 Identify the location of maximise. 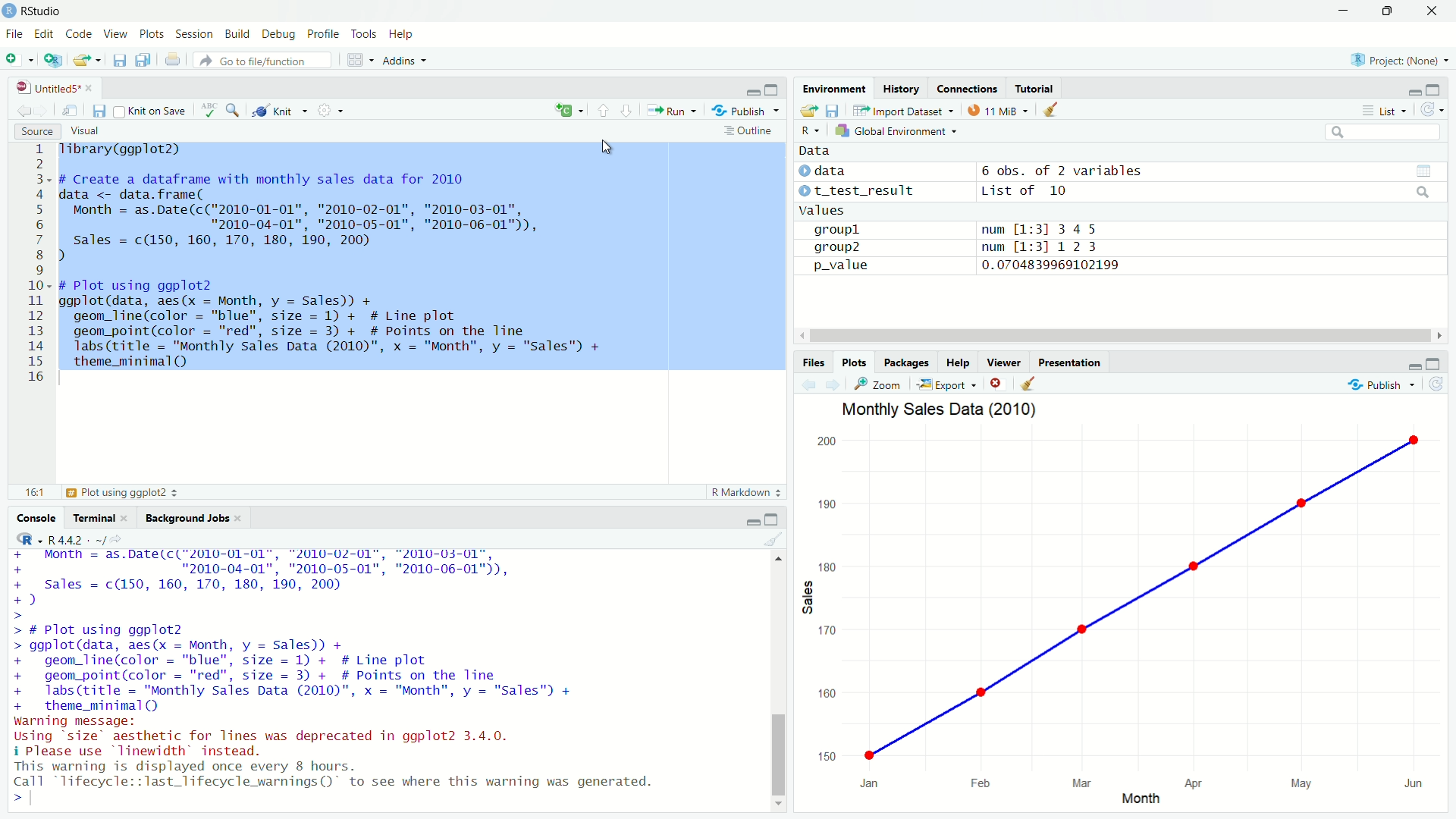
(772, 519).